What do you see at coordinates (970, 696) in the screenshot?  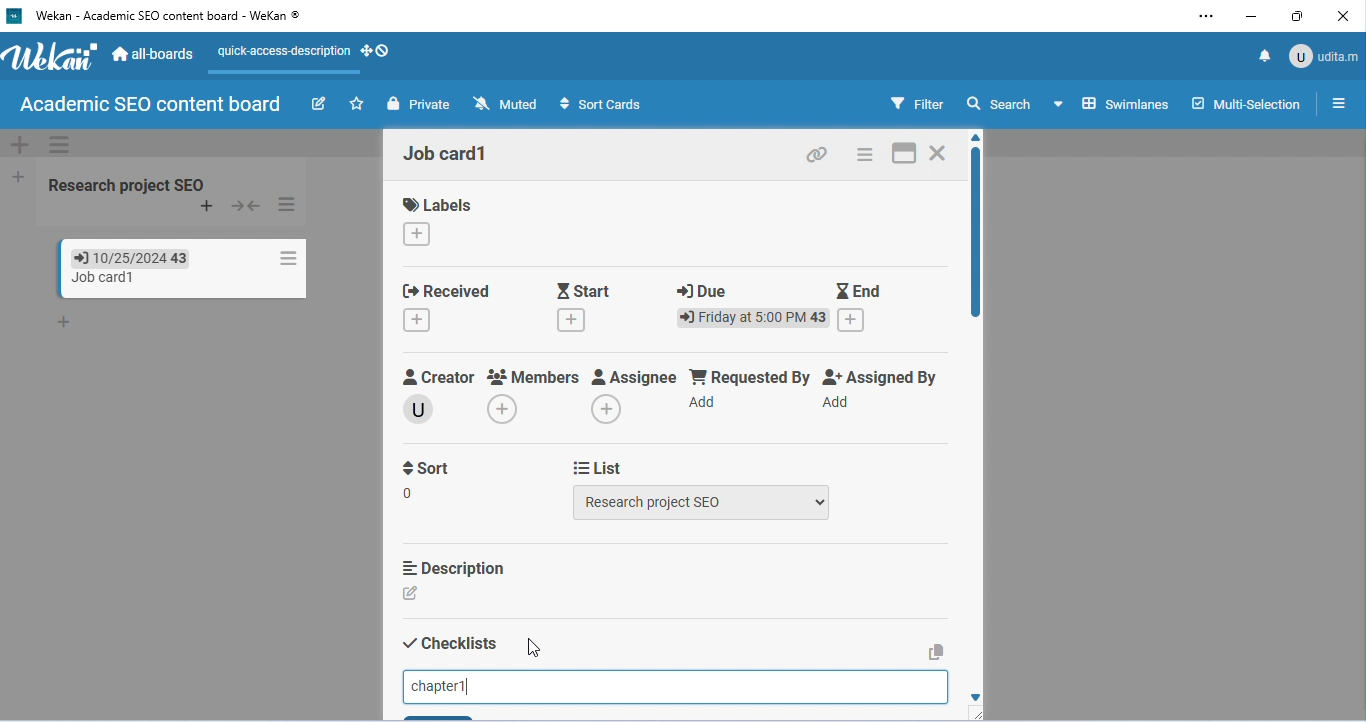 I see `down` at bounding box center [970, 696].